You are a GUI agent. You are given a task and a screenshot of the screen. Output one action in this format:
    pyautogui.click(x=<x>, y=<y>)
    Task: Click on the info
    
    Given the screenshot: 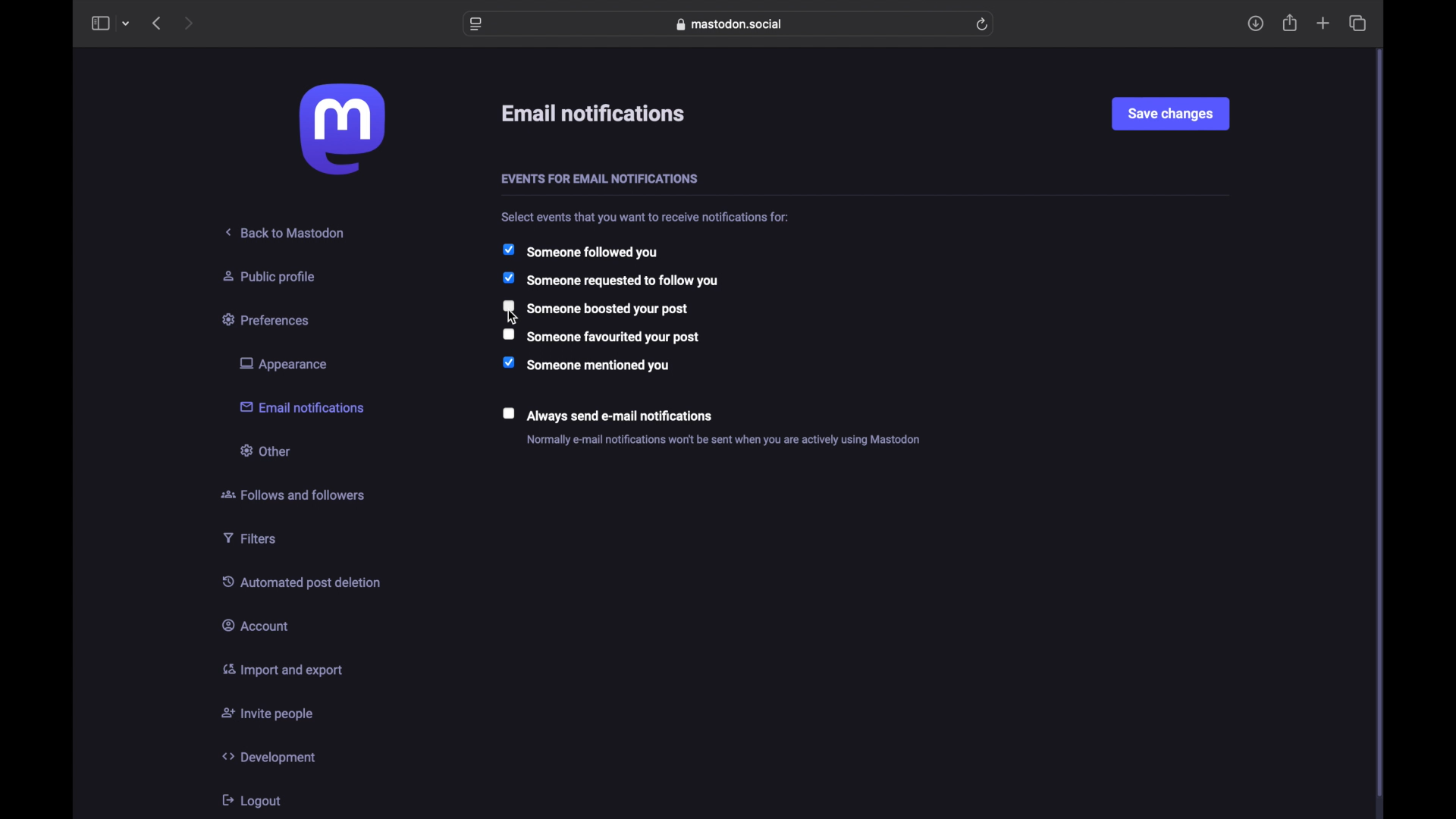 What is the action you would take?
    pyautogui.click(x=647, y=217)
    